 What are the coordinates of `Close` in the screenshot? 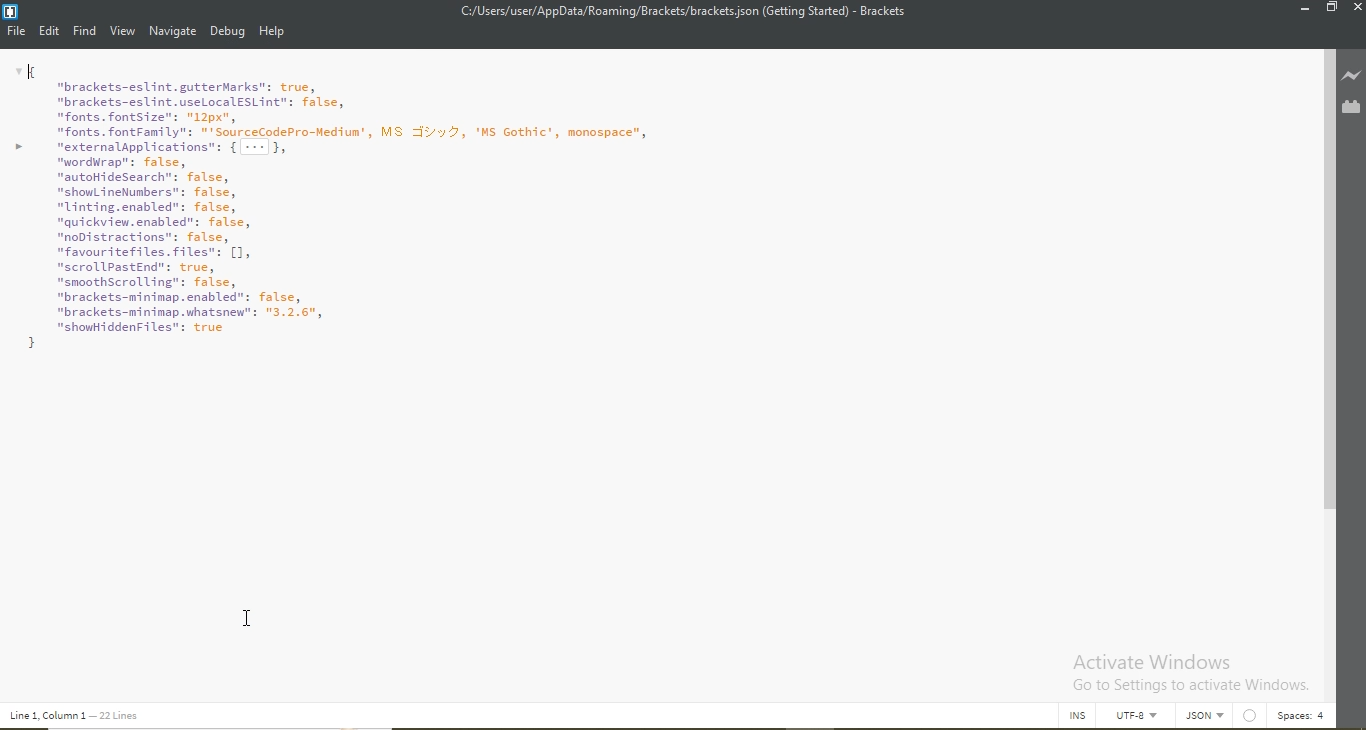 It's located at (1355, 10).